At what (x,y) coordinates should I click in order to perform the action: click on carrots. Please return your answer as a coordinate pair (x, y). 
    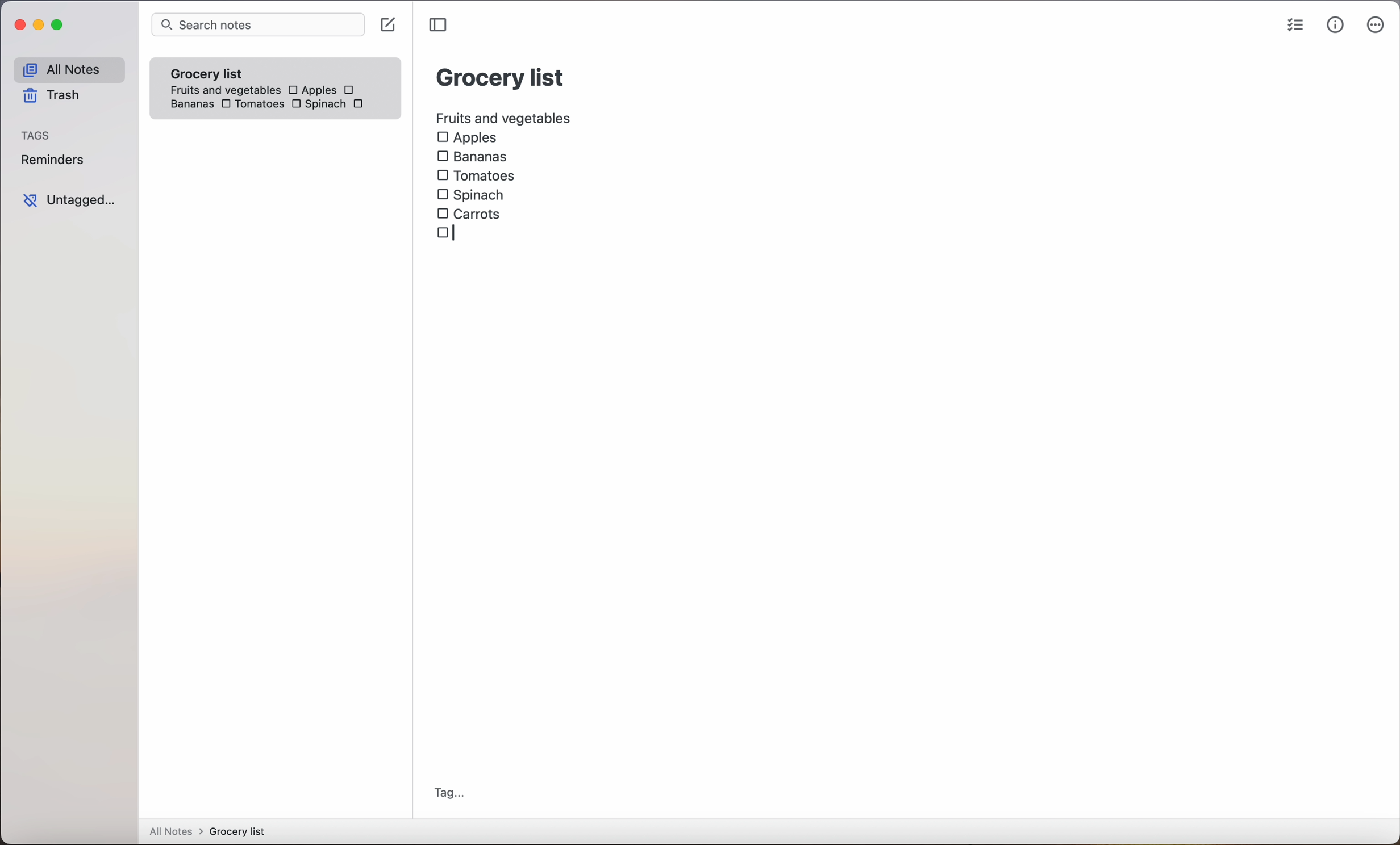
    Looking at the image, I should click on (361, 104).